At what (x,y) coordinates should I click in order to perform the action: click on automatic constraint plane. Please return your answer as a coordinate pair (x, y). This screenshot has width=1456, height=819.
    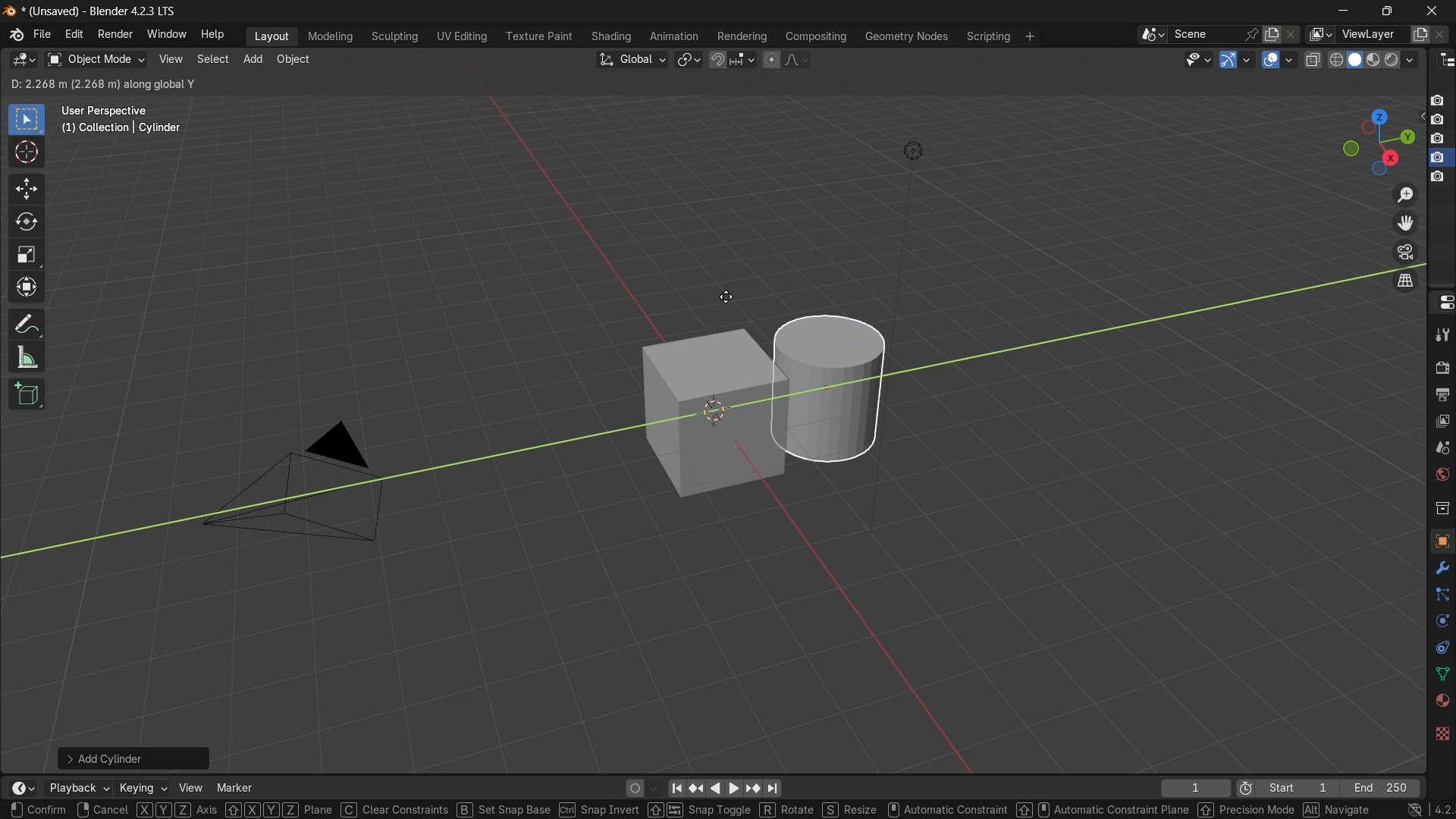
    Looking at the image, I should click on (1101, 810).